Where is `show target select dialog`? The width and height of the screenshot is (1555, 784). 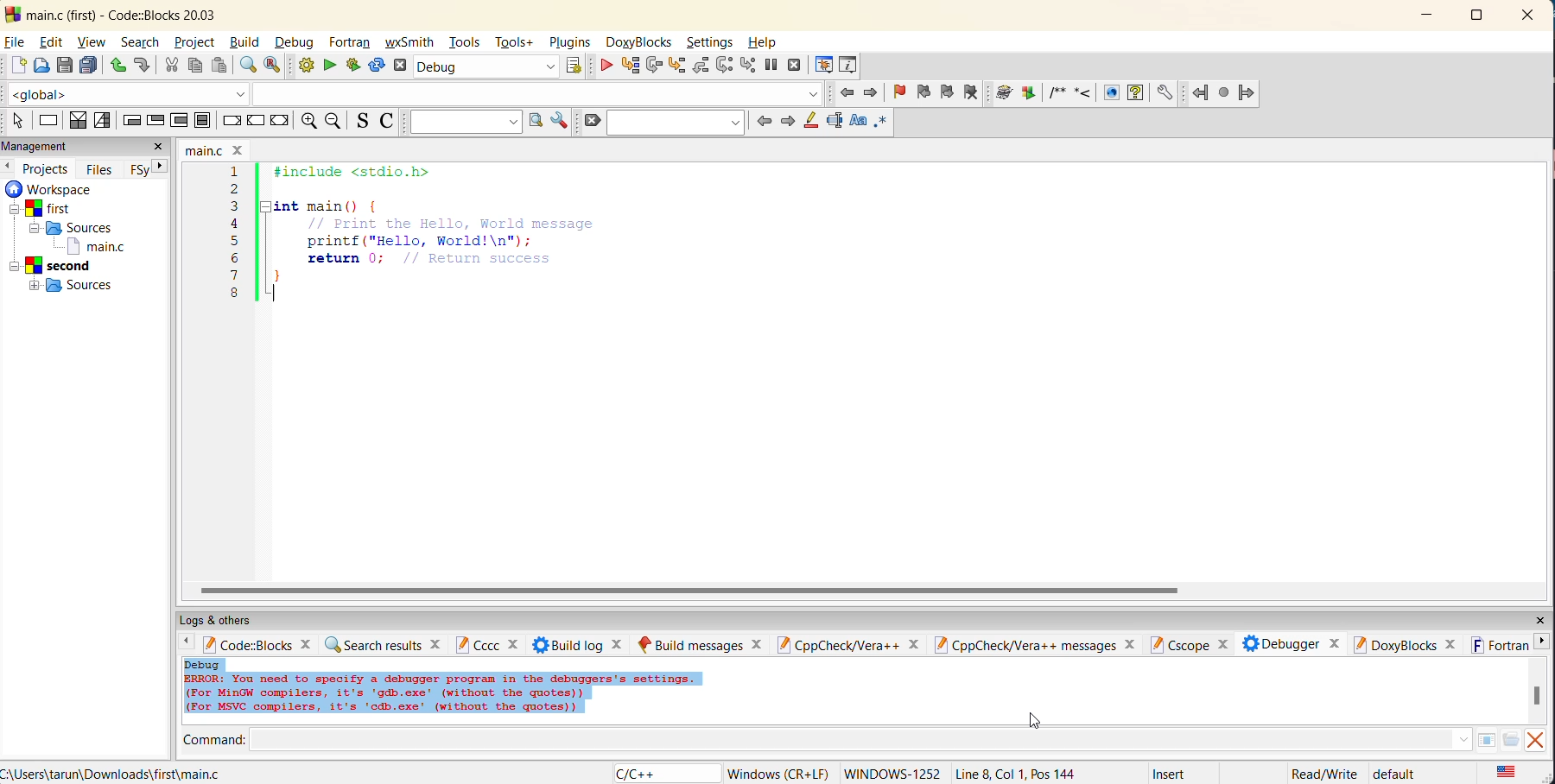 show target select dialog is located at coordinates (577, 66).